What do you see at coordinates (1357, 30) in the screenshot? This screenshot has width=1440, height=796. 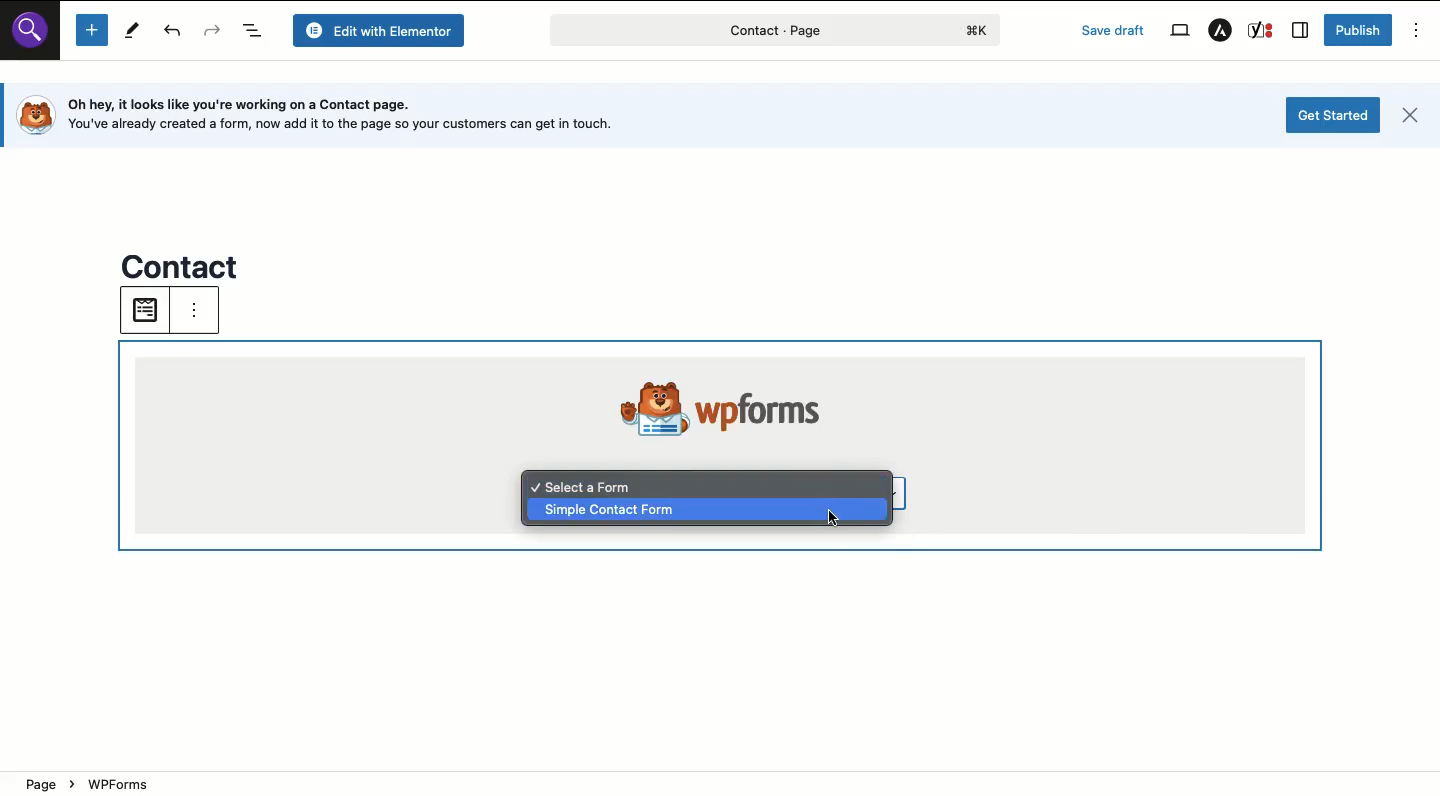 I see `Publish` at bounding box center [1357, 30].